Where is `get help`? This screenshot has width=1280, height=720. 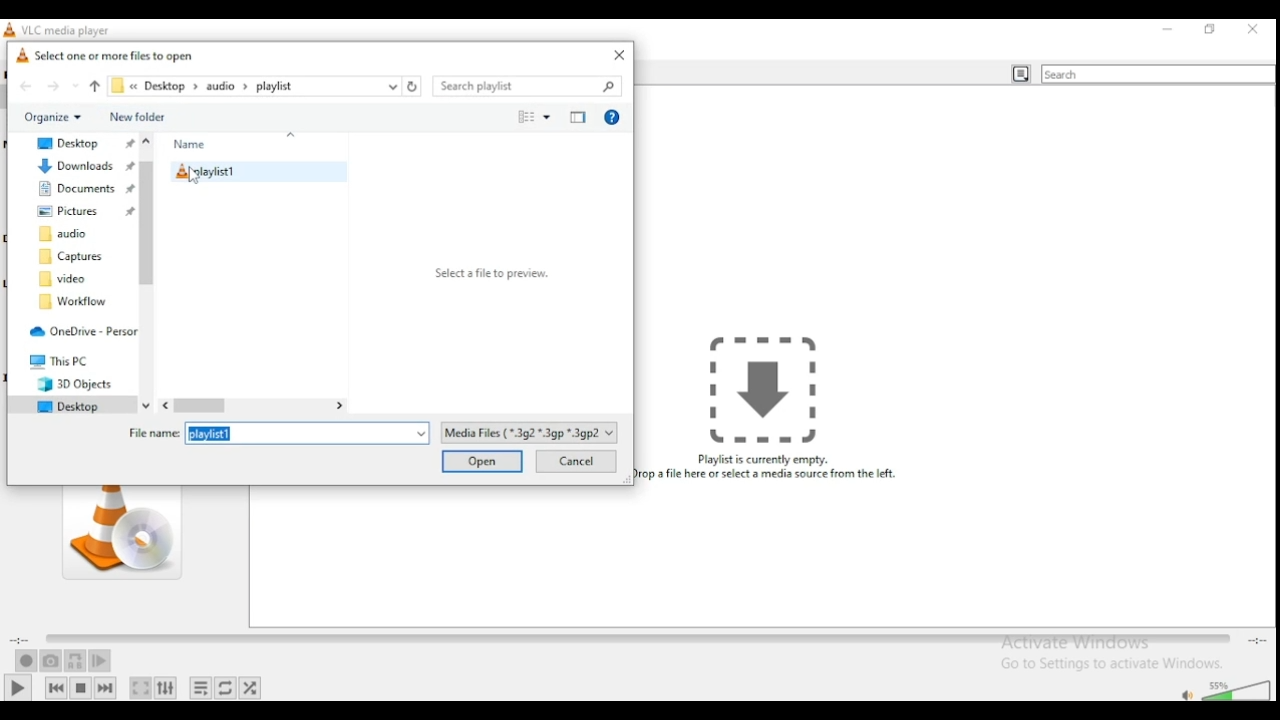
get help is located at coordinates (612, 118).